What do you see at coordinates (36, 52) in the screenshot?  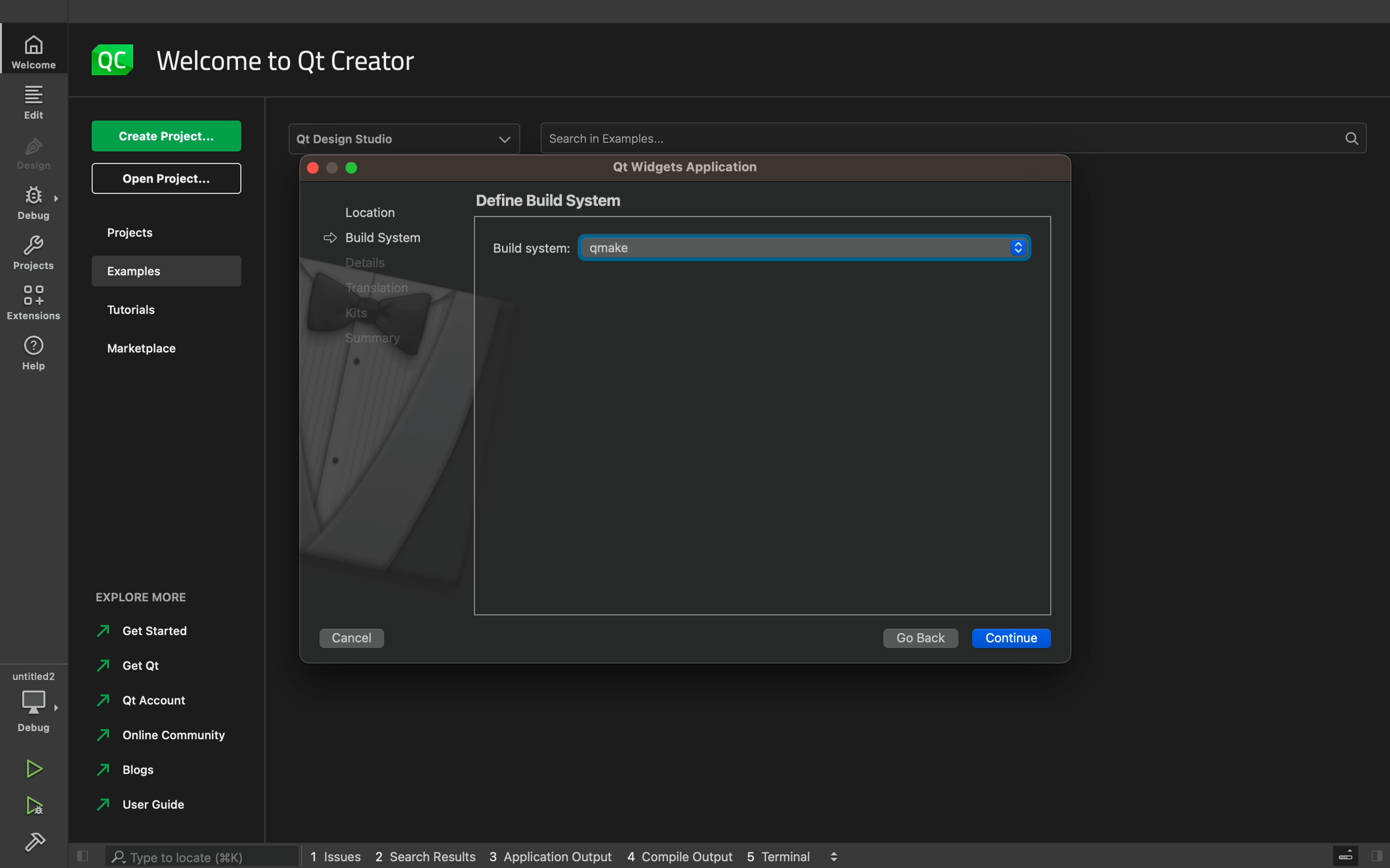 I see `home` at bounding box center [36, 52].